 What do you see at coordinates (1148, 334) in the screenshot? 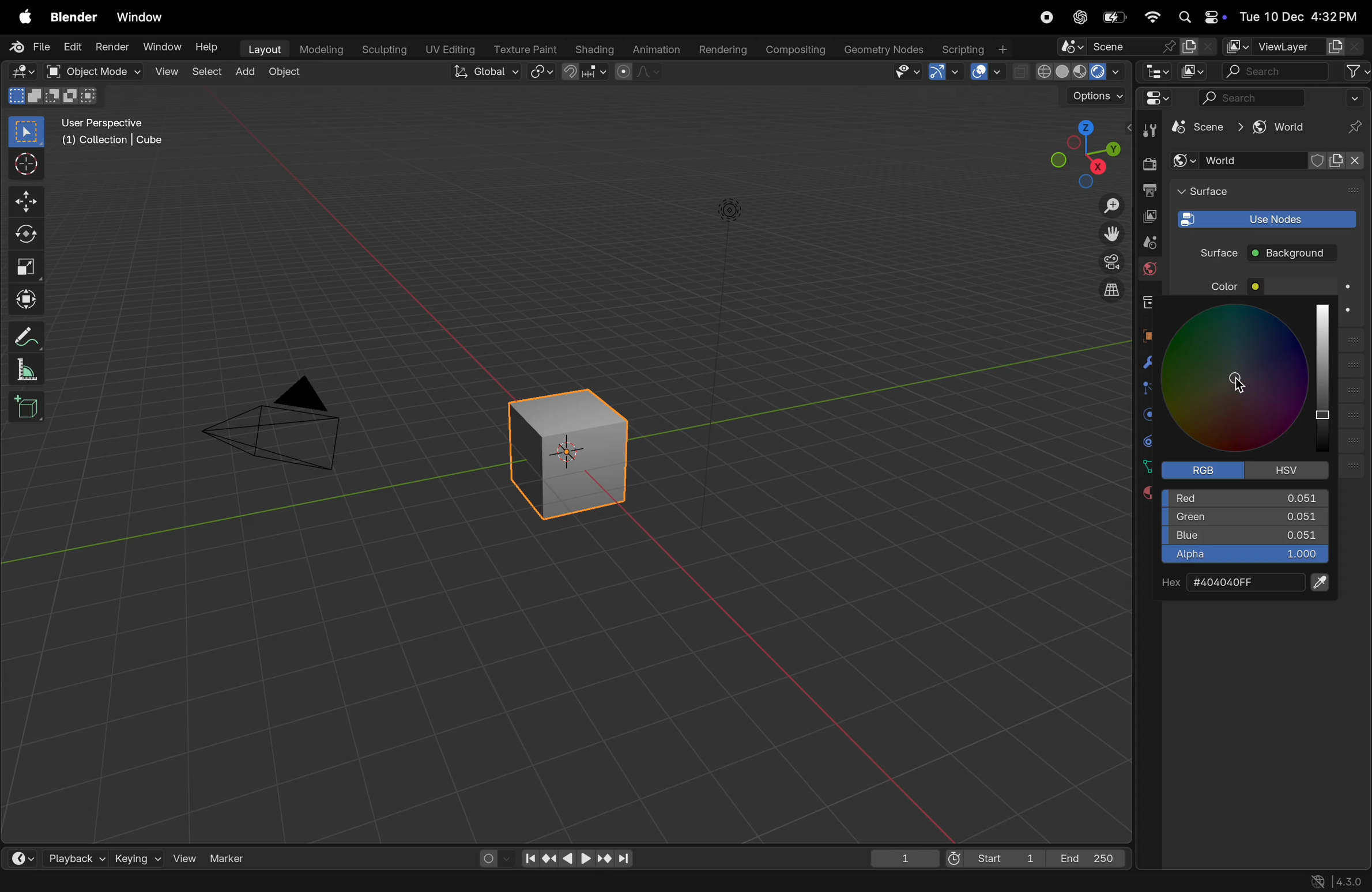
I see `object ` at bounding box center [1148, 334].